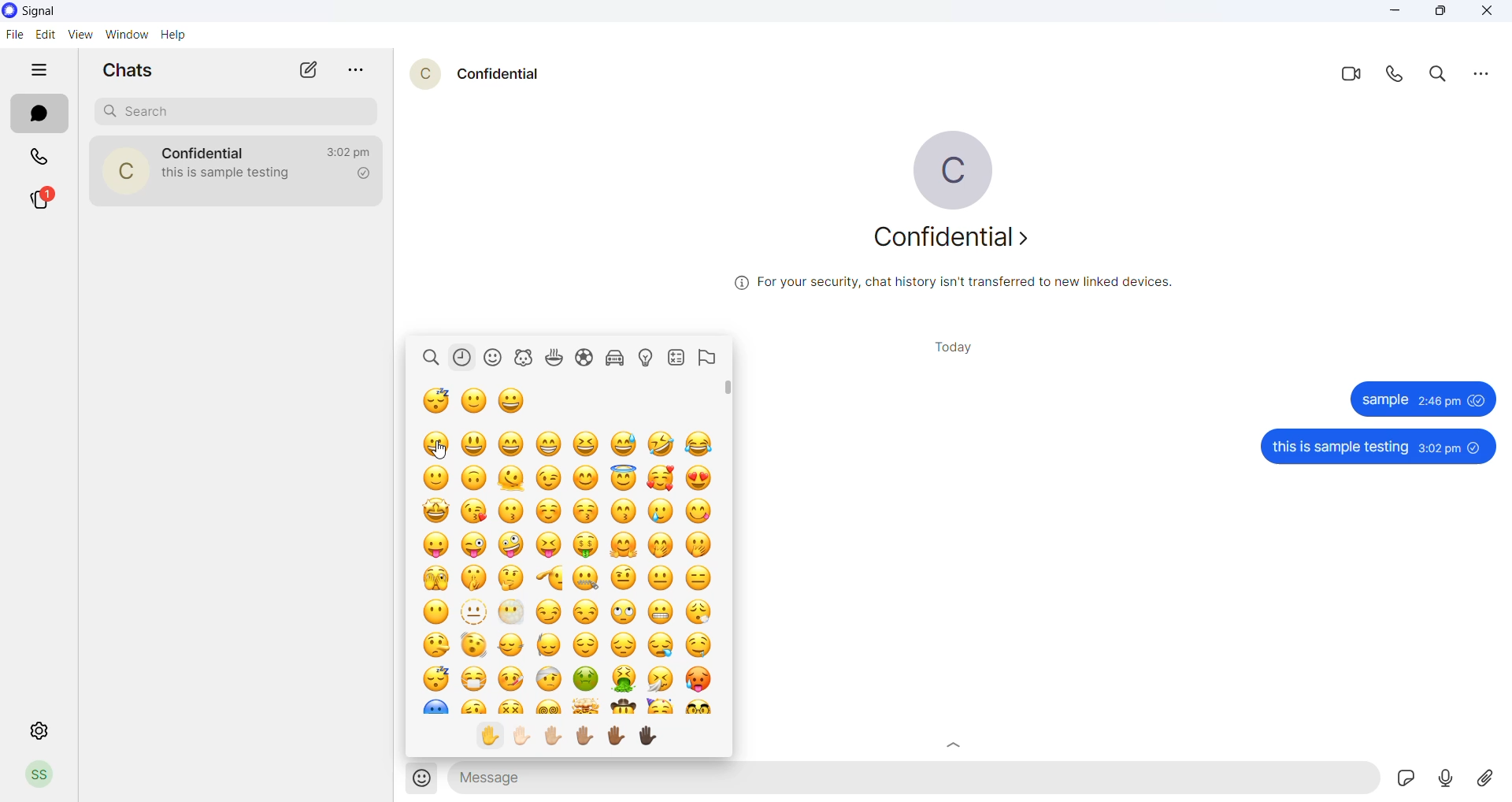 The height and width of the screenshot is (802, 1512). Describe the element at coordinates (561, 565) in the screenshot. I see `emojis` at that location.